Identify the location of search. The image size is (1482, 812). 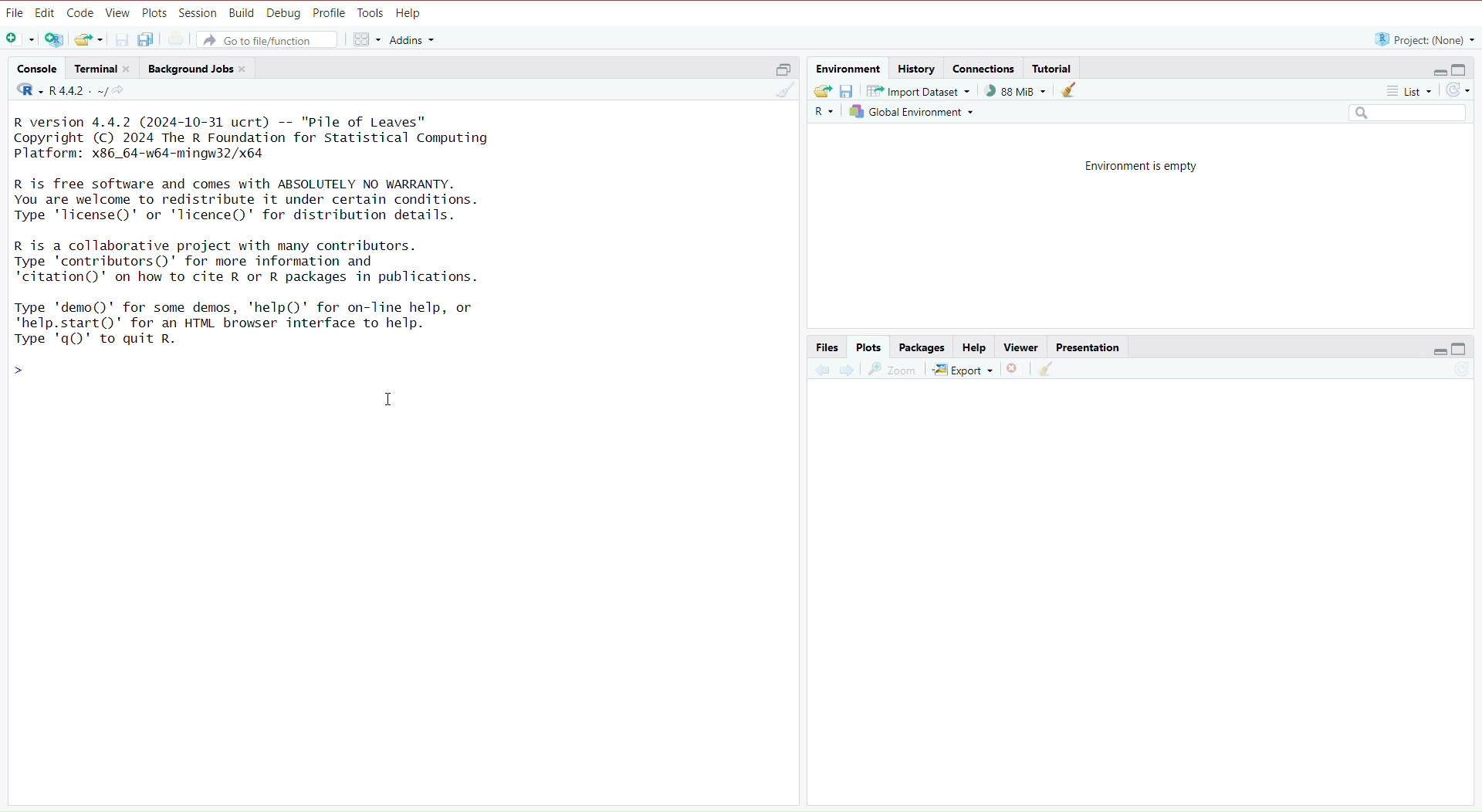
(1401, 113).